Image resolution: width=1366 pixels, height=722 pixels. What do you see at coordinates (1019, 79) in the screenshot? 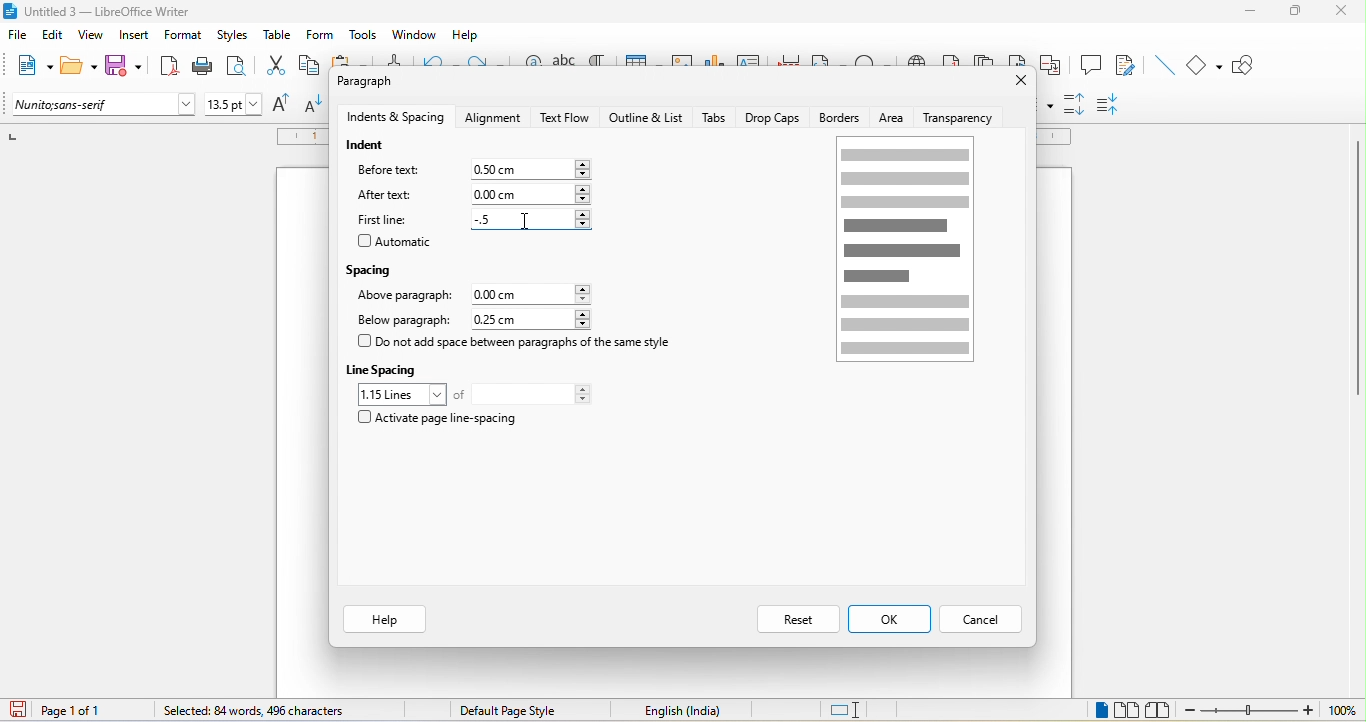
I see `close` at bounding box center [1019, 79].